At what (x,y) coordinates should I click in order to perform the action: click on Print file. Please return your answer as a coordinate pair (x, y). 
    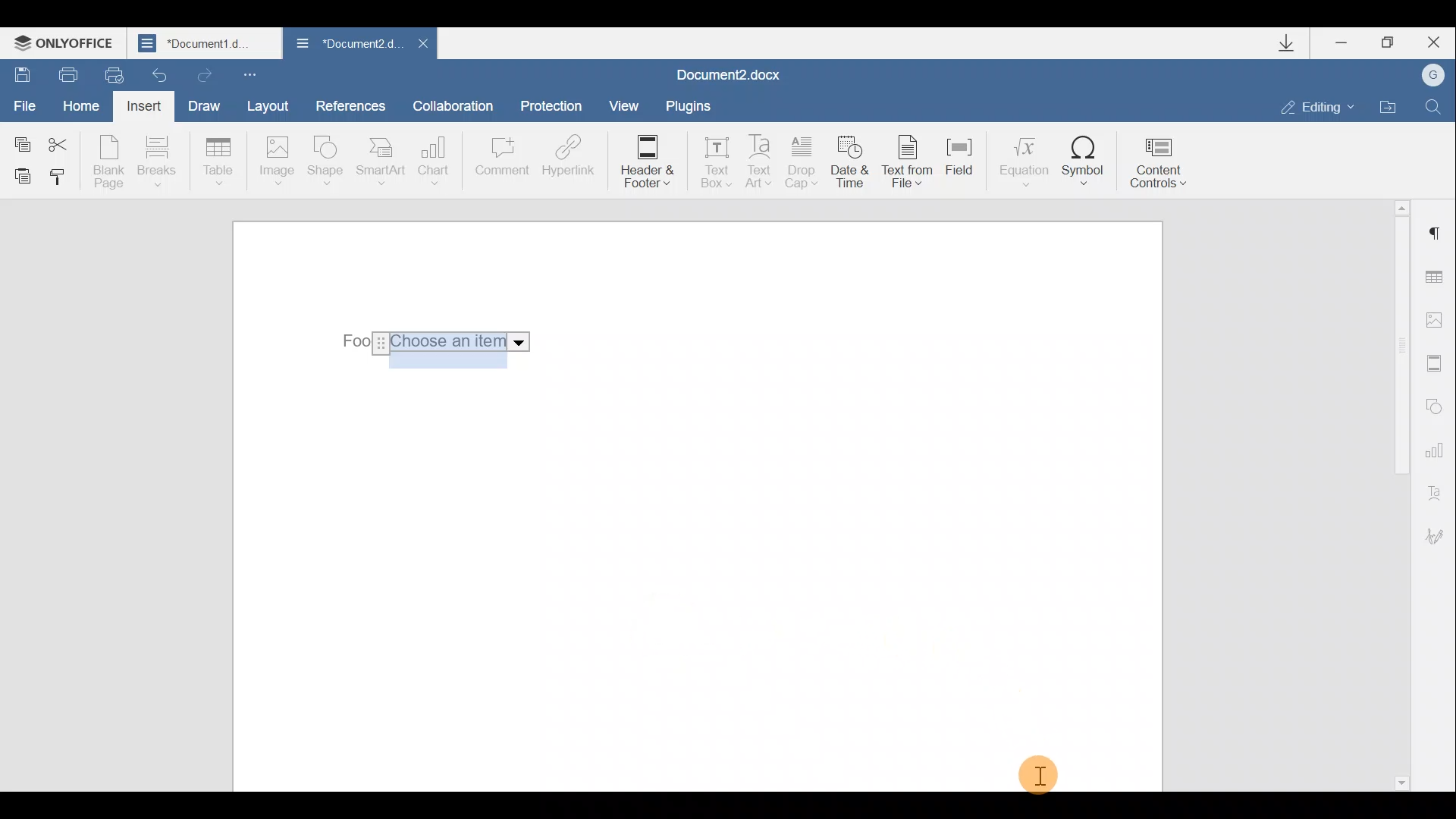
    Looking at the image, I should click on (60, 74).